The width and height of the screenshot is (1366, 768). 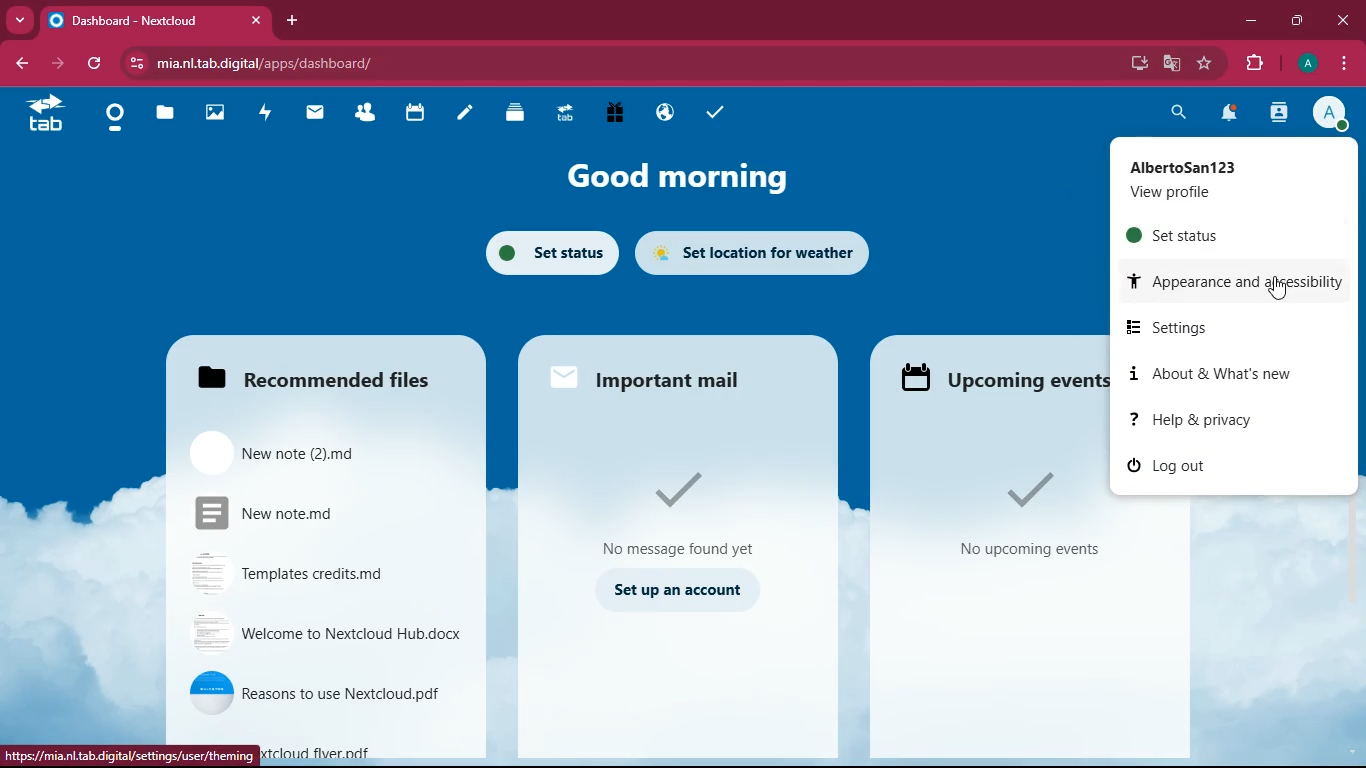 What do you see at coordinates (1246, 420) in the screenshot?
I see `help` at bounding box center [1246, 420].